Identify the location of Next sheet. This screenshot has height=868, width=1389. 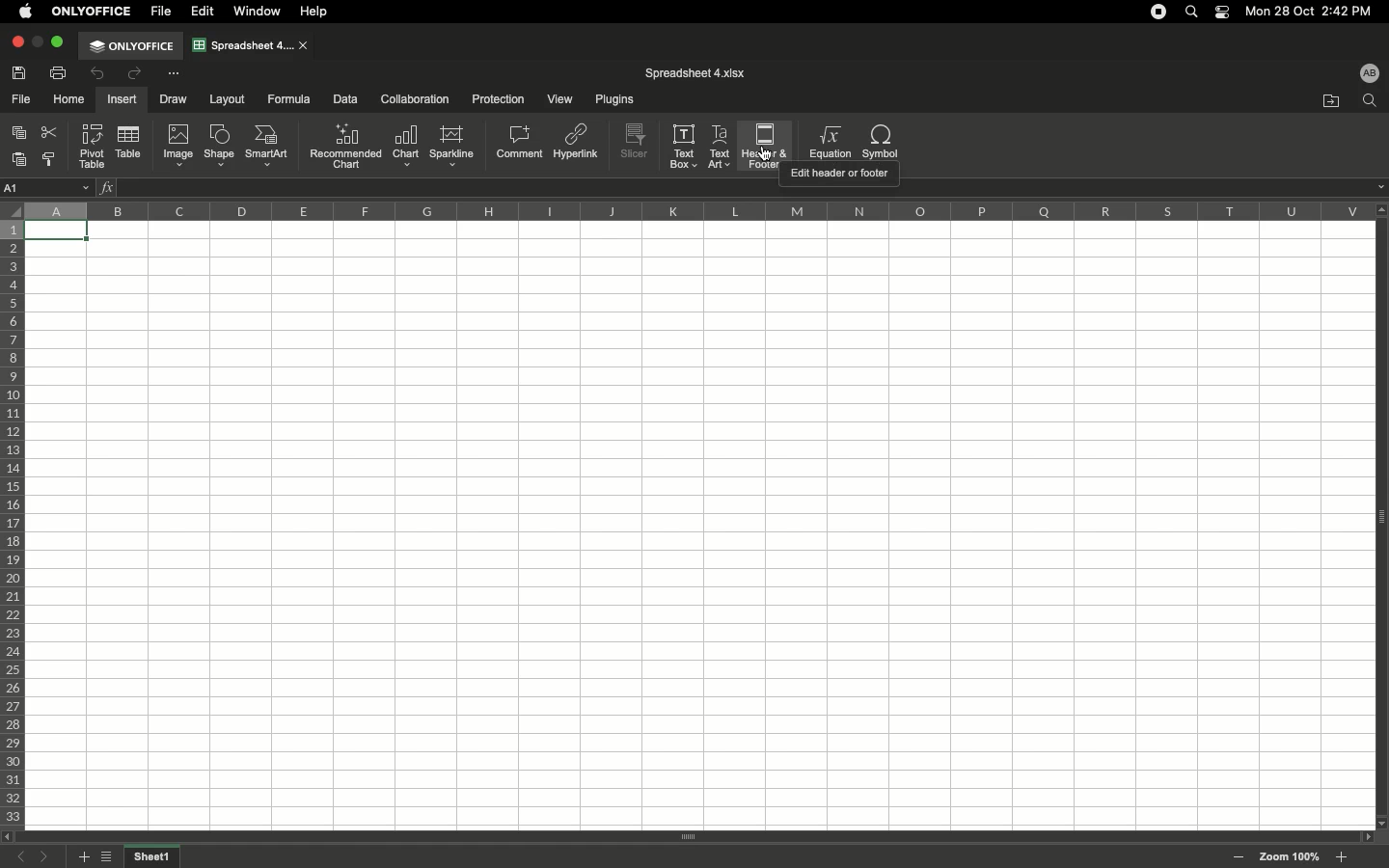
(49, 857).